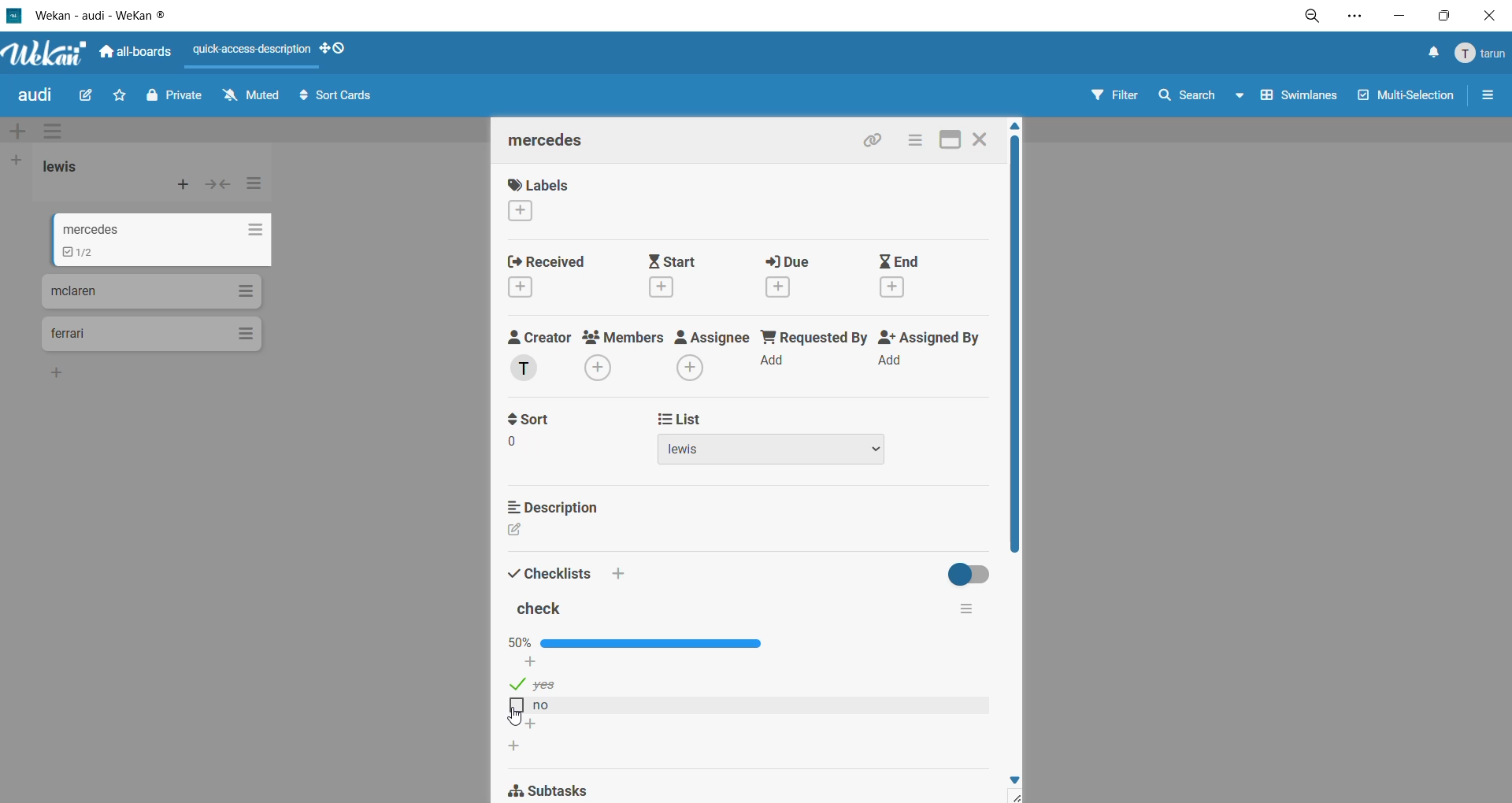 This screenshot has width=1512, height=803. Describe the element at coordinates (880, 141) in the screenshot. I see `copy` at that location.